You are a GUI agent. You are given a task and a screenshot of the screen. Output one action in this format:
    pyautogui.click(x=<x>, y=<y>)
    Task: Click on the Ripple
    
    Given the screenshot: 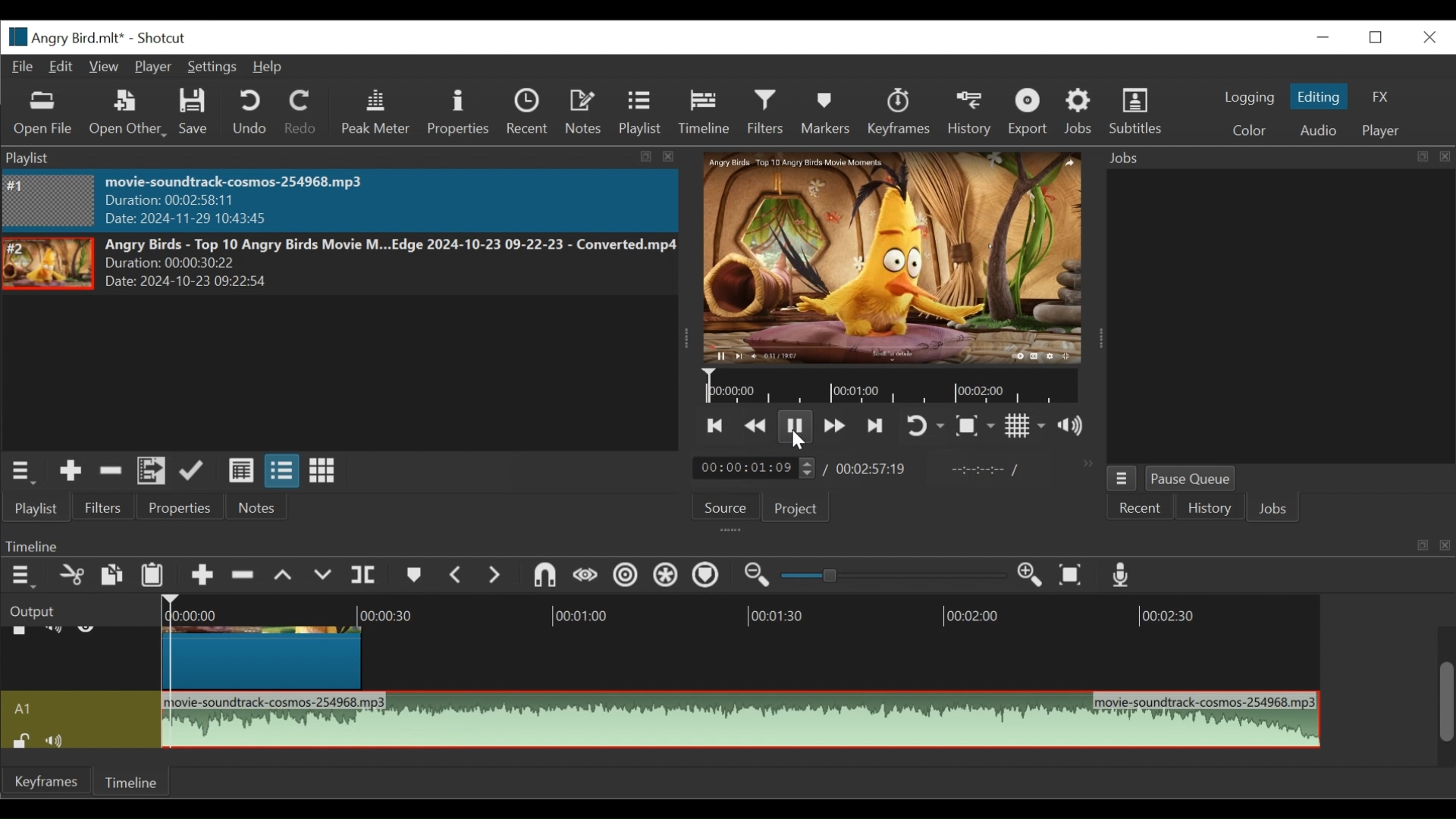 What is the action you would take?
    pyautogui.click(x=626, y=576)
    